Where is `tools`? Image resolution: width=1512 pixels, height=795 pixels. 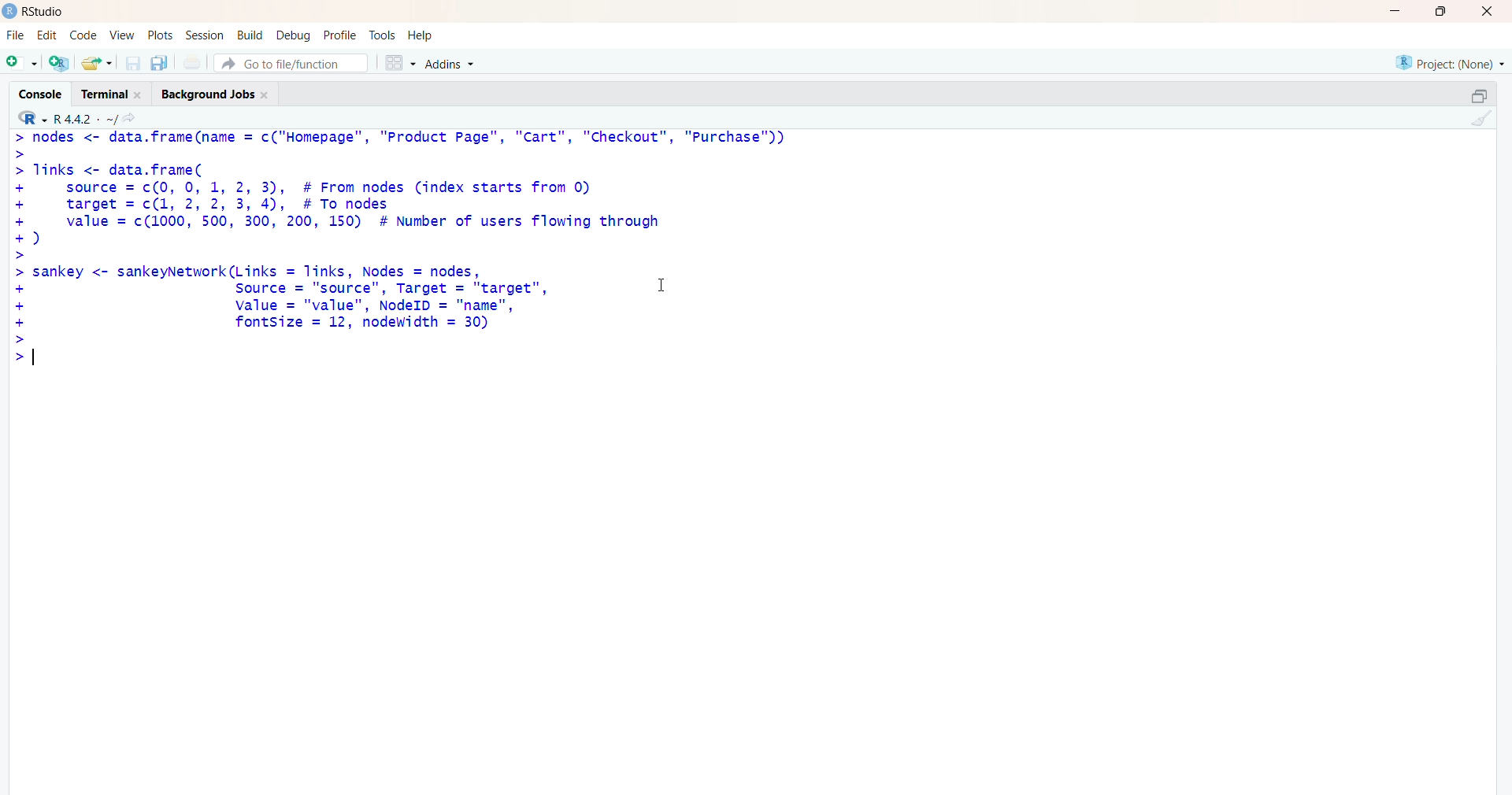
tools is located at coordinates (383, 33).